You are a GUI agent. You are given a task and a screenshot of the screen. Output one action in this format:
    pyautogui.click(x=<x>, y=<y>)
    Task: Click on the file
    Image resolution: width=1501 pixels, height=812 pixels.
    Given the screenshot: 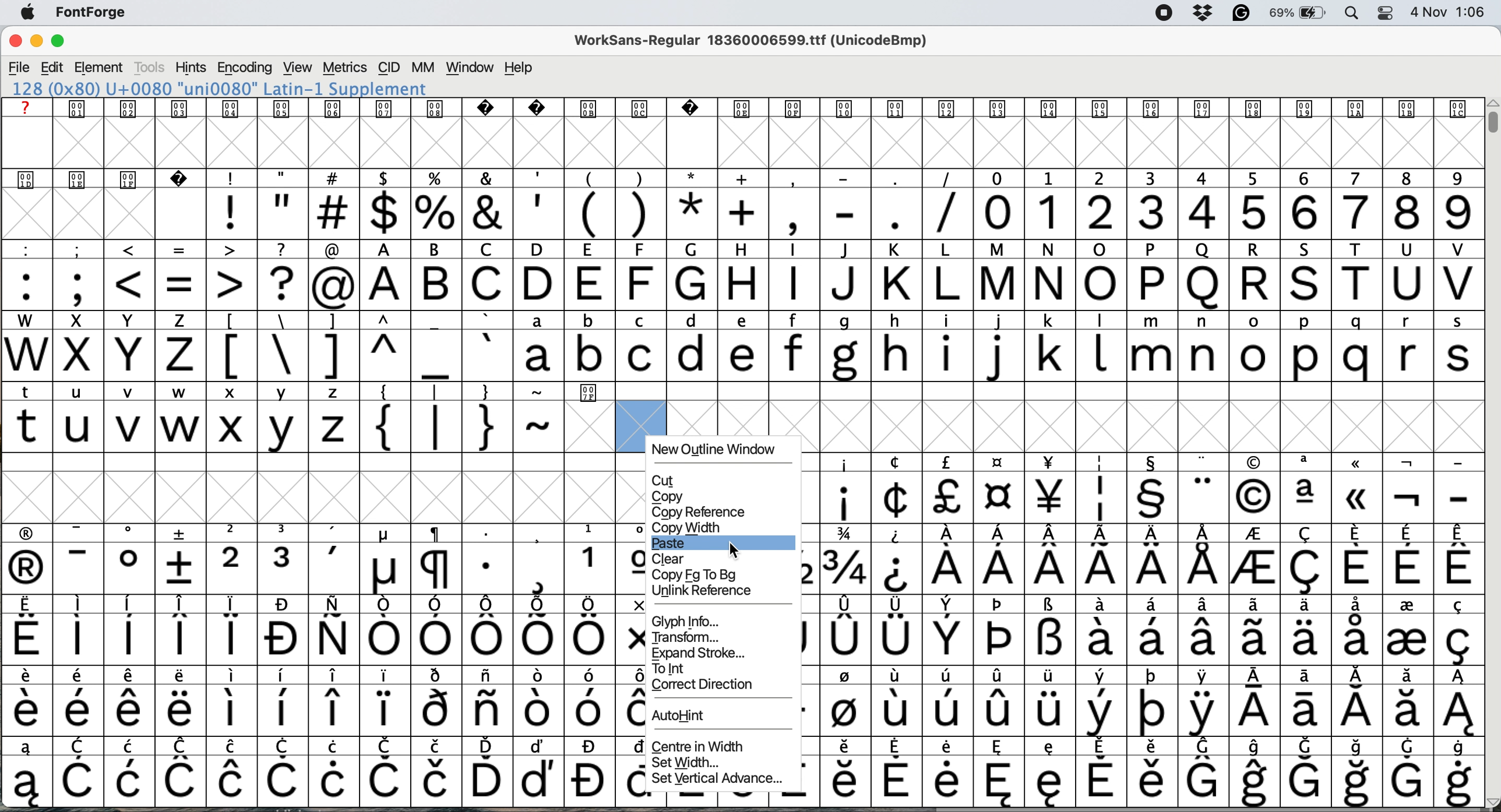 What is the action you would take?
    pyautogui.click(x=19, y=66)
    